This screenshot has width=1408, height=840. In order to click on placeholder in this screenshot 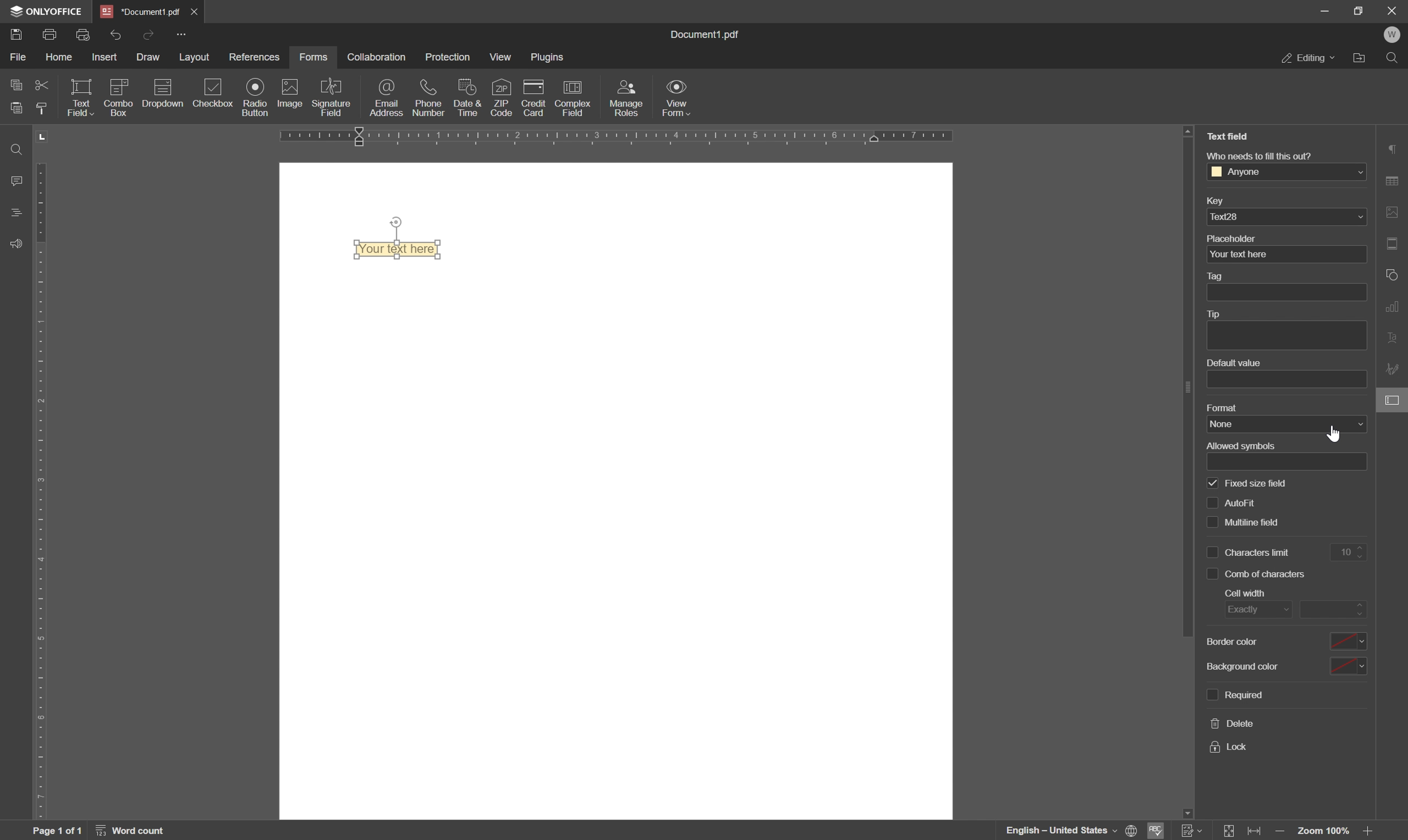, I will do `click(1231, 238)`.